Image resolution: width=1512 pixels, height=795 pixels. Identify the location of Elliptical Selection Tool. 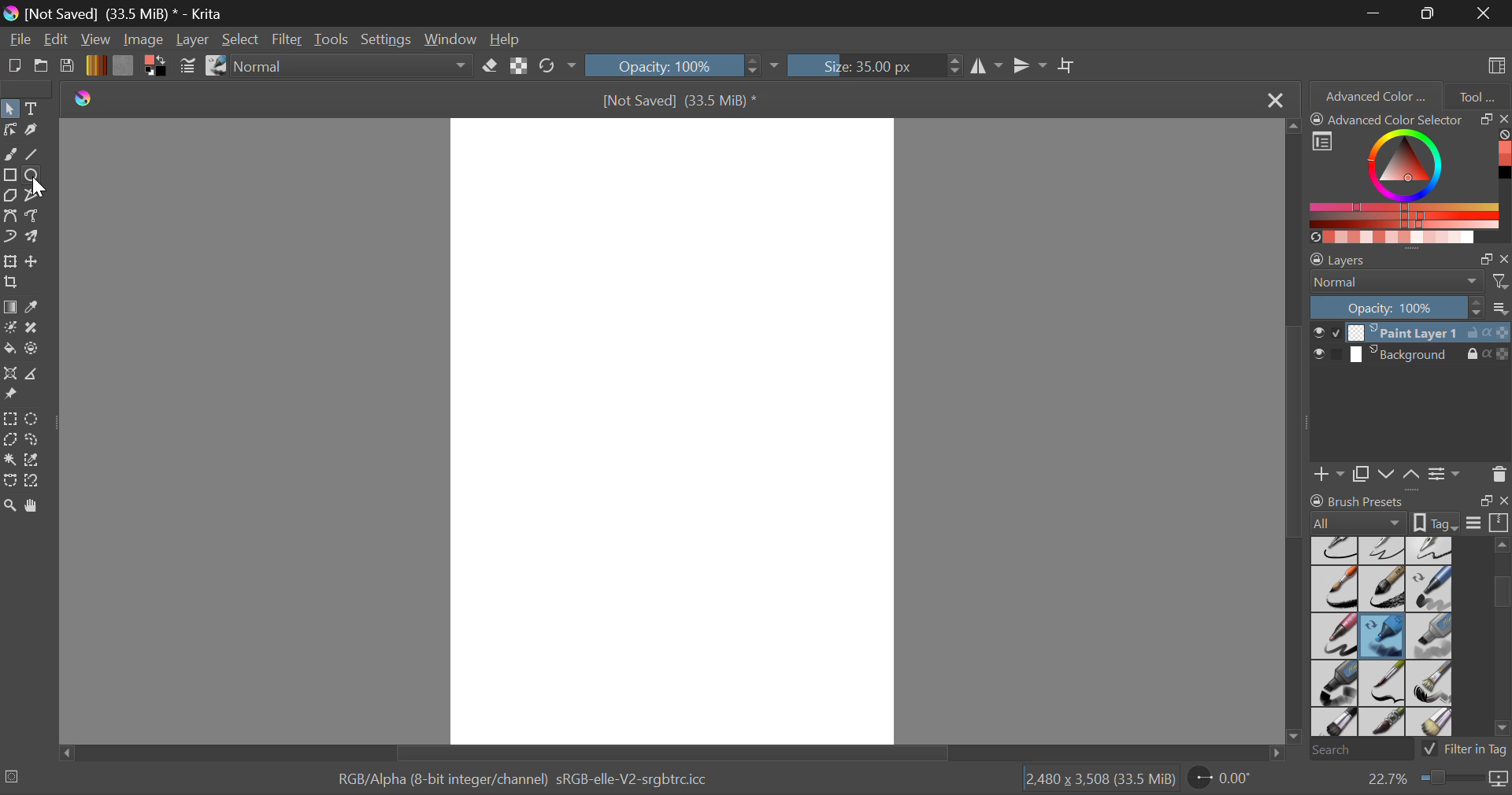
(32, 419).